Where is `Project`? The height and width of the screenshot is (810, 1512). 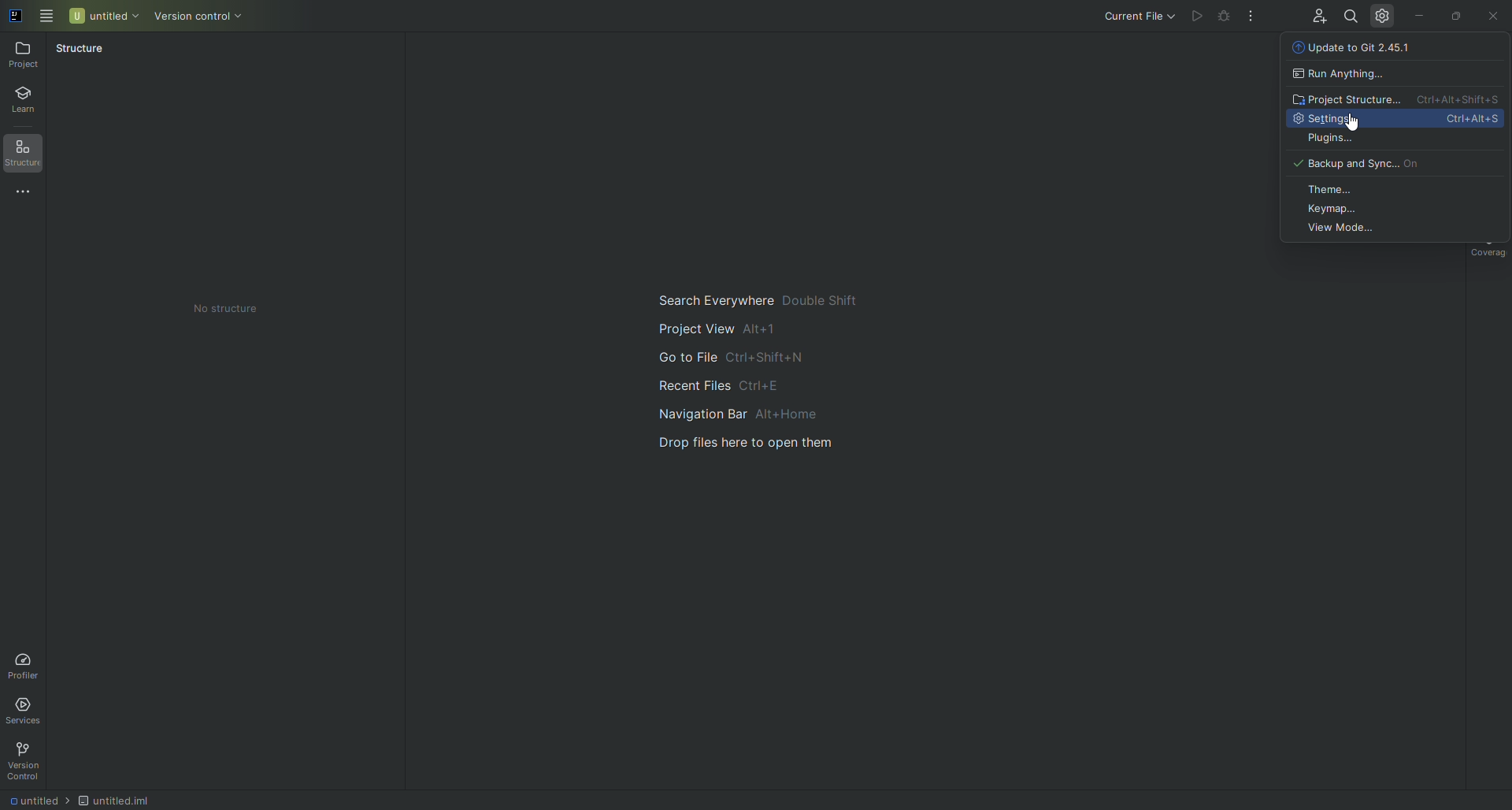 Project is located at coordinates (23, 57).